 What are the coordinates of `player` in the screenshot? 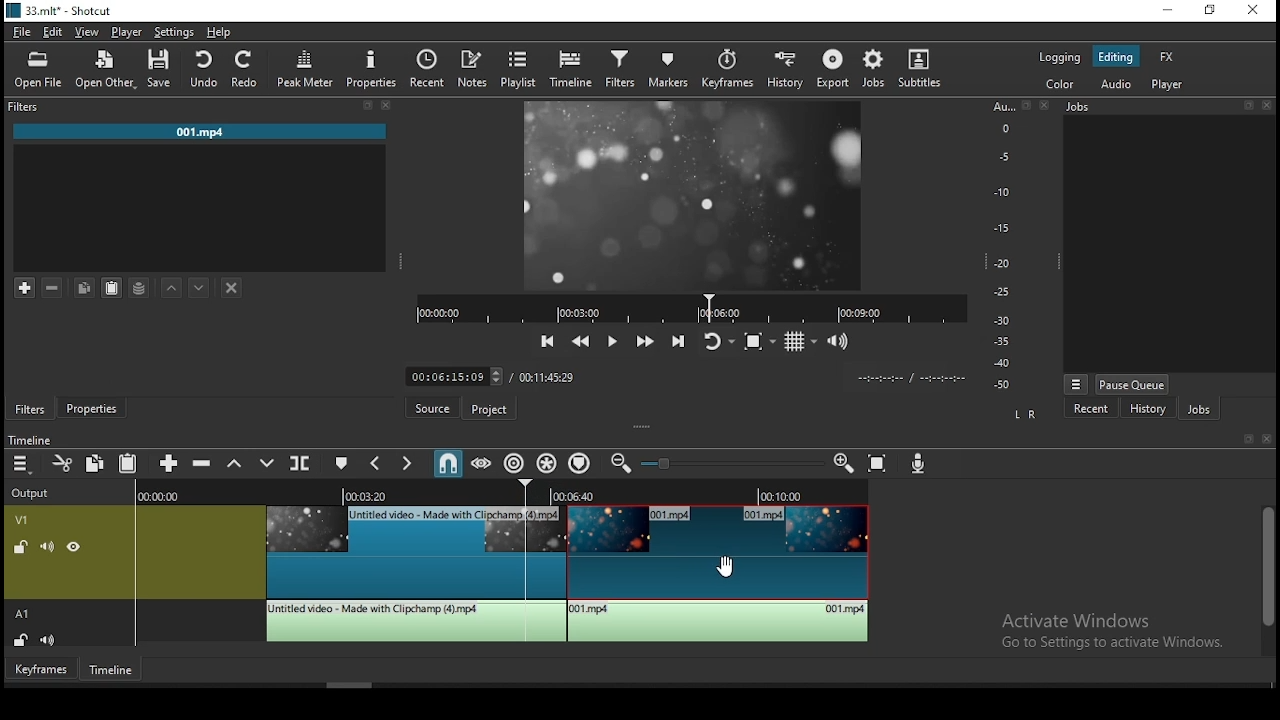 It's located at (126, 32).